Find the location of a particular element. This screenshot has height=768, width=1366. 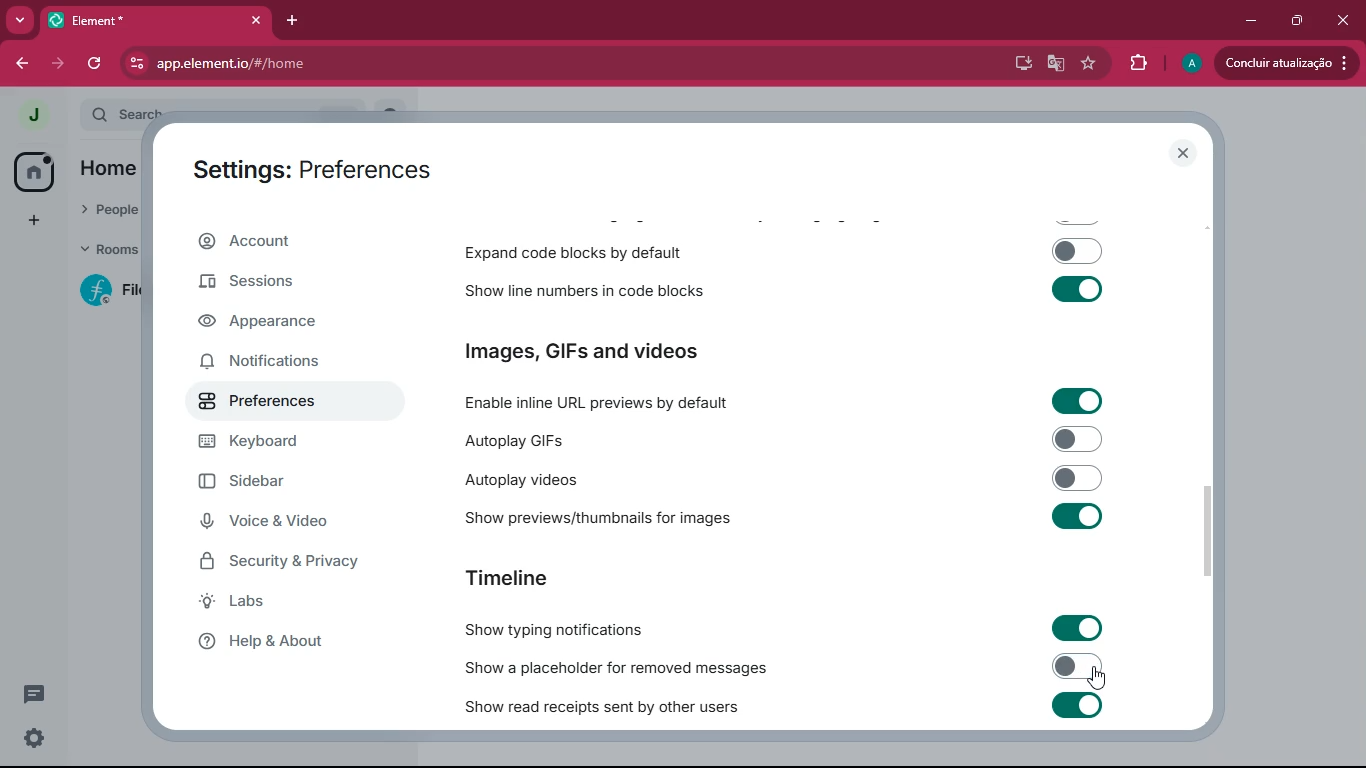

toggle on/off is located at coordinates (1079, 478).